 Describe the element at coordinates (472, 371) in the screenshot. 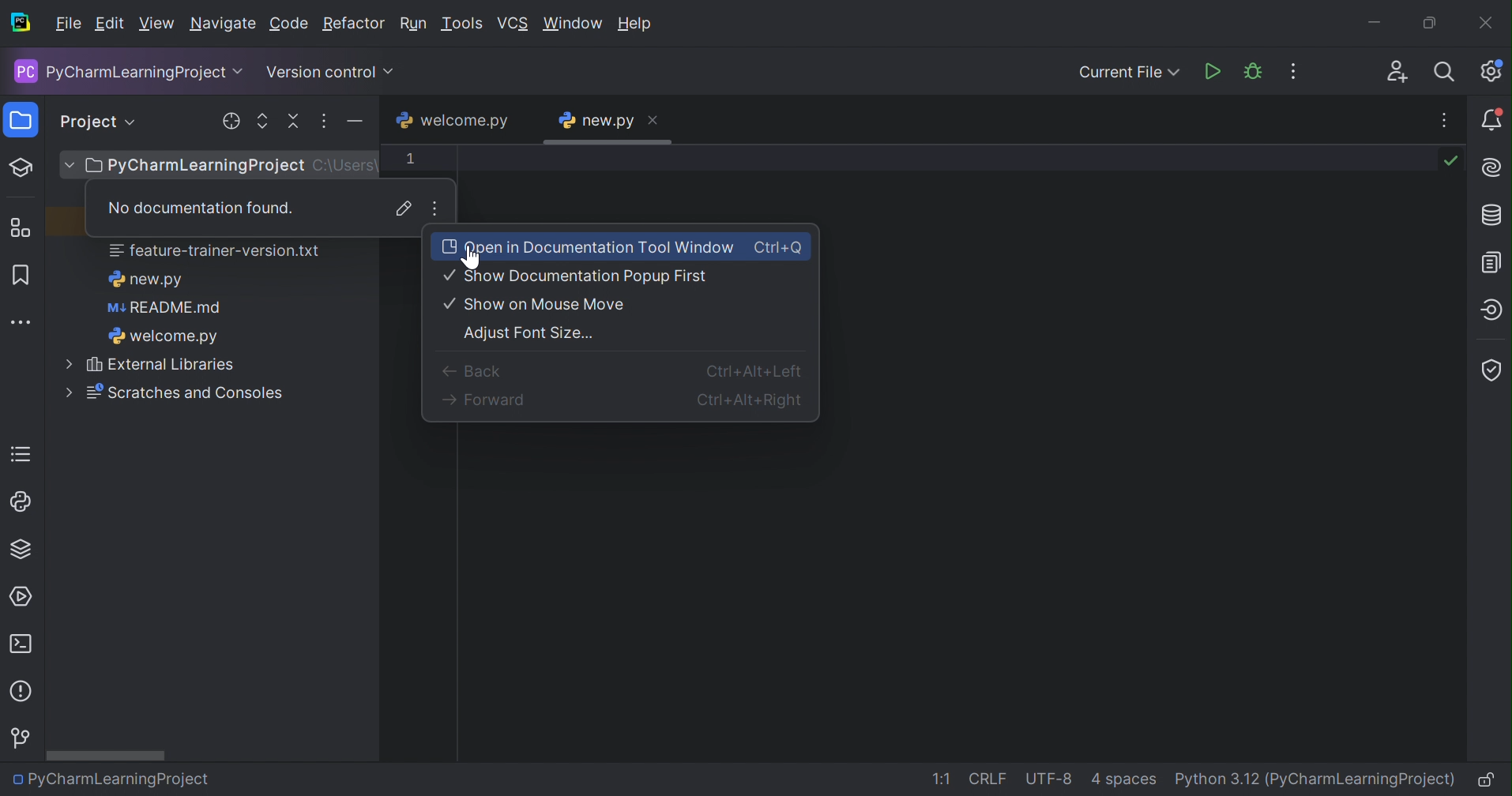

I see `Back` at that location.